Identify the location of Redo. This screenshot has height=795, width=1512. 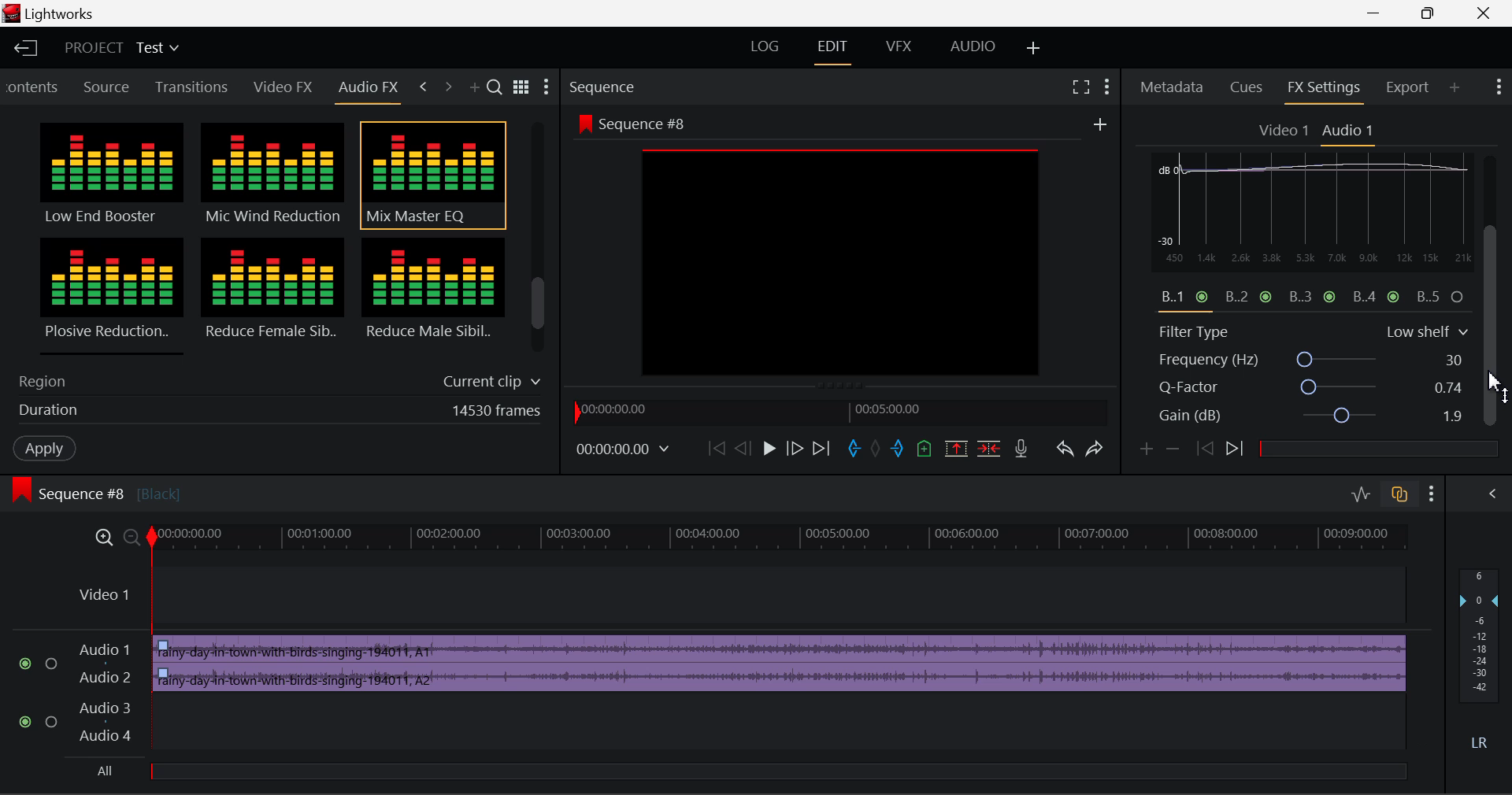
(1099, 453).